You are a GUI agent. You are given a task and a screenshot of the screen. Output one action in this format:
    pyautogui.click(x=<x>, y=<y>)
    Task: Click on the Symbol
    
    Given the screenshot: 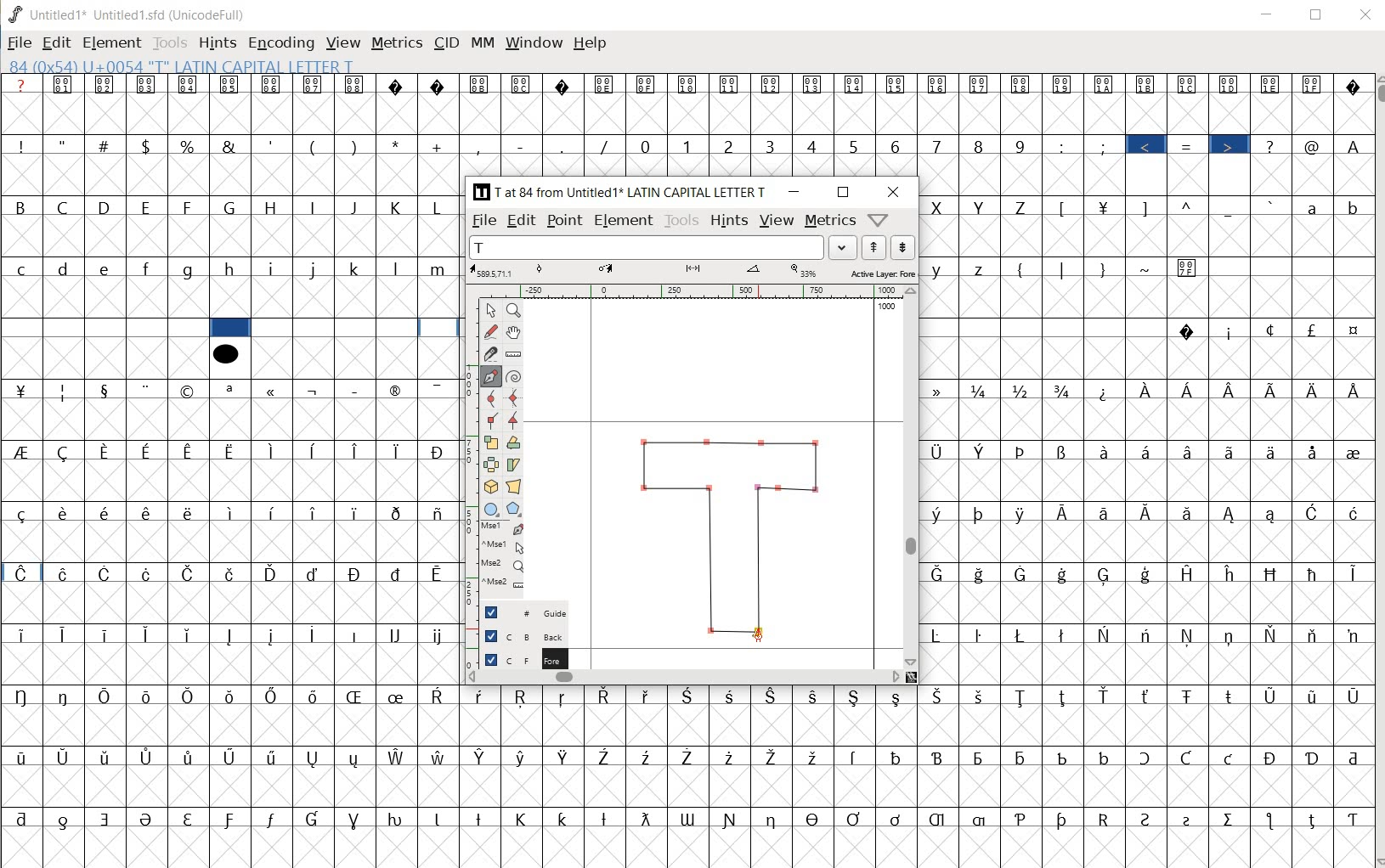 What is the action you would take?
    pyautogui.click(x=898, y=86)
    